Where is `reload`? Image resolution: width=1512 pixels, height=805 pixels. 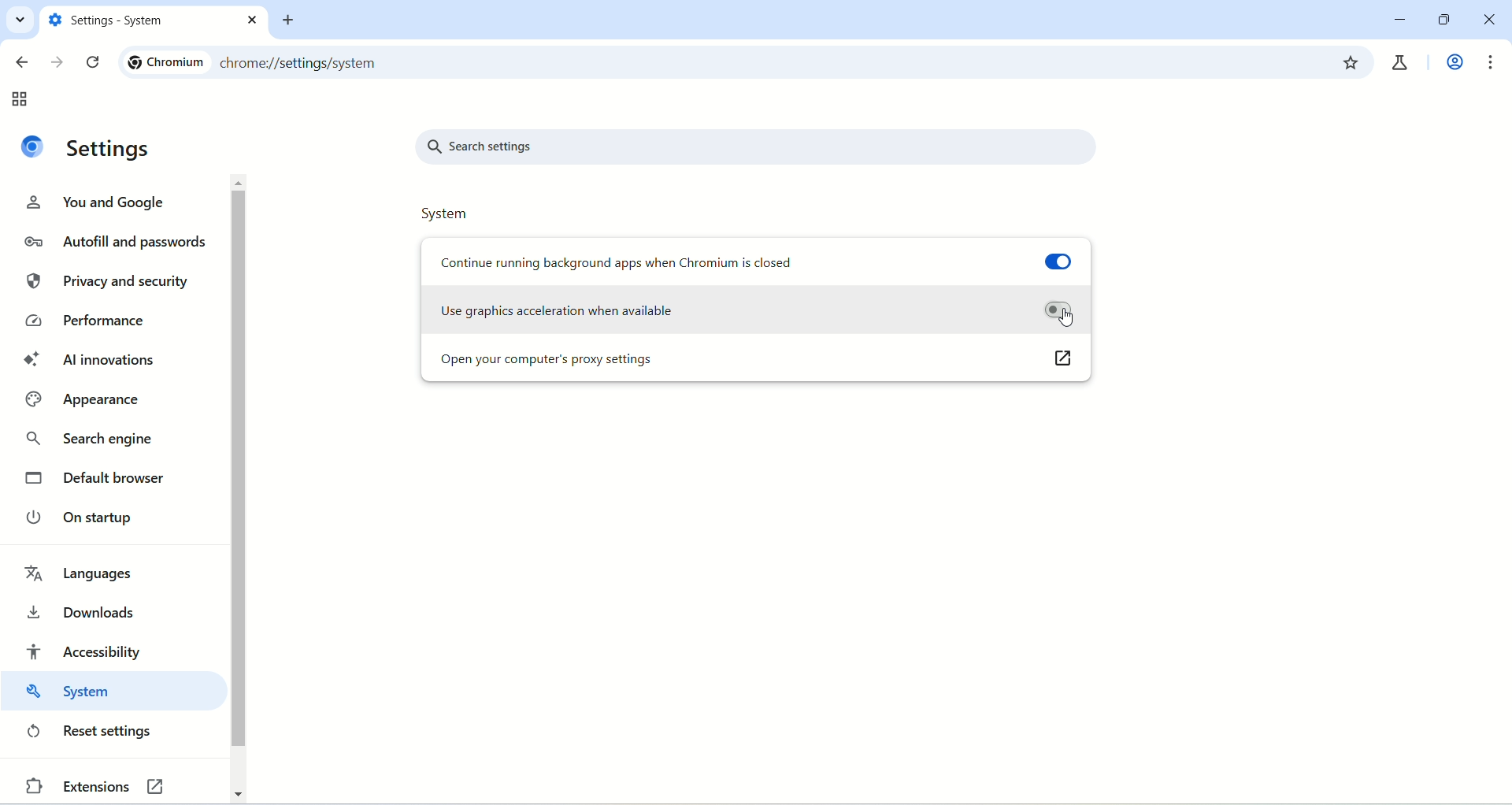
reload is located at coordinates (93, 63).